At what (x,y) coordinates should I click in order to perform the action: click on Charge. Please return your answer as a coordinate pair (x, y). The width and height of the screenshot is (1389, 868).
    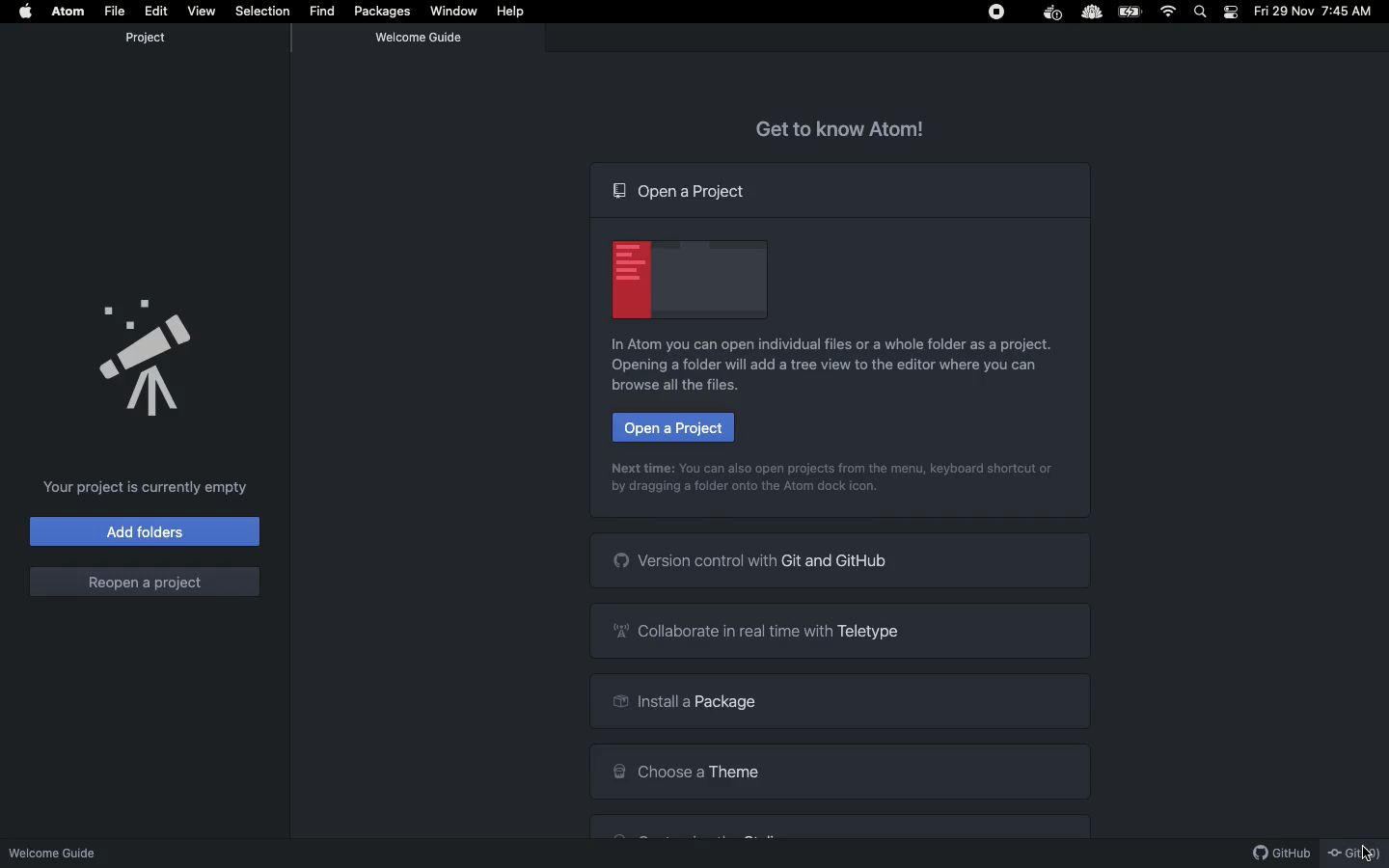
    Looking at the image, I should click on (1131, 13).